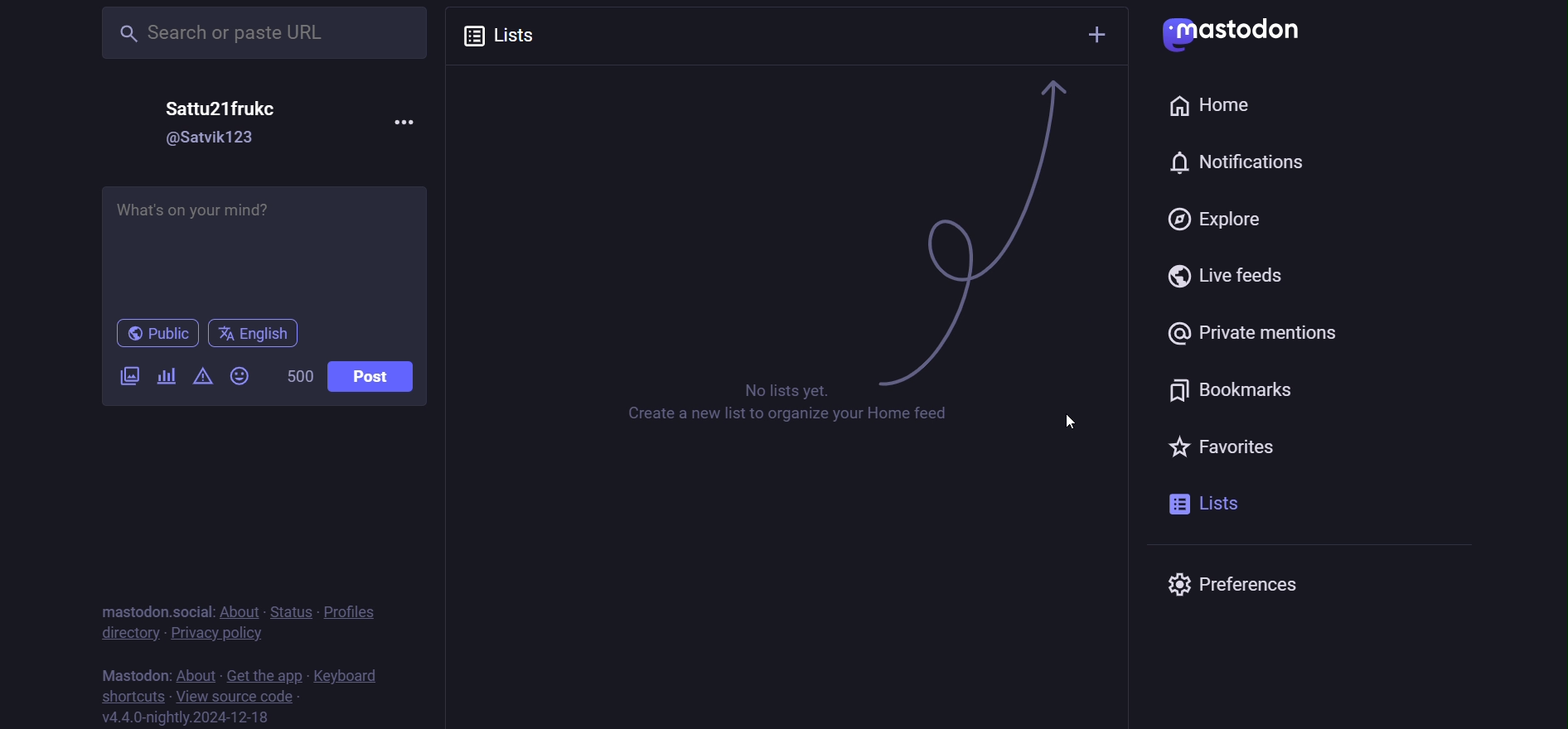 The image size is (1568, 729). What do you see at coordinates (296, 375) in the screenshot?
I see `word limit` at bounding box center [296, 375].